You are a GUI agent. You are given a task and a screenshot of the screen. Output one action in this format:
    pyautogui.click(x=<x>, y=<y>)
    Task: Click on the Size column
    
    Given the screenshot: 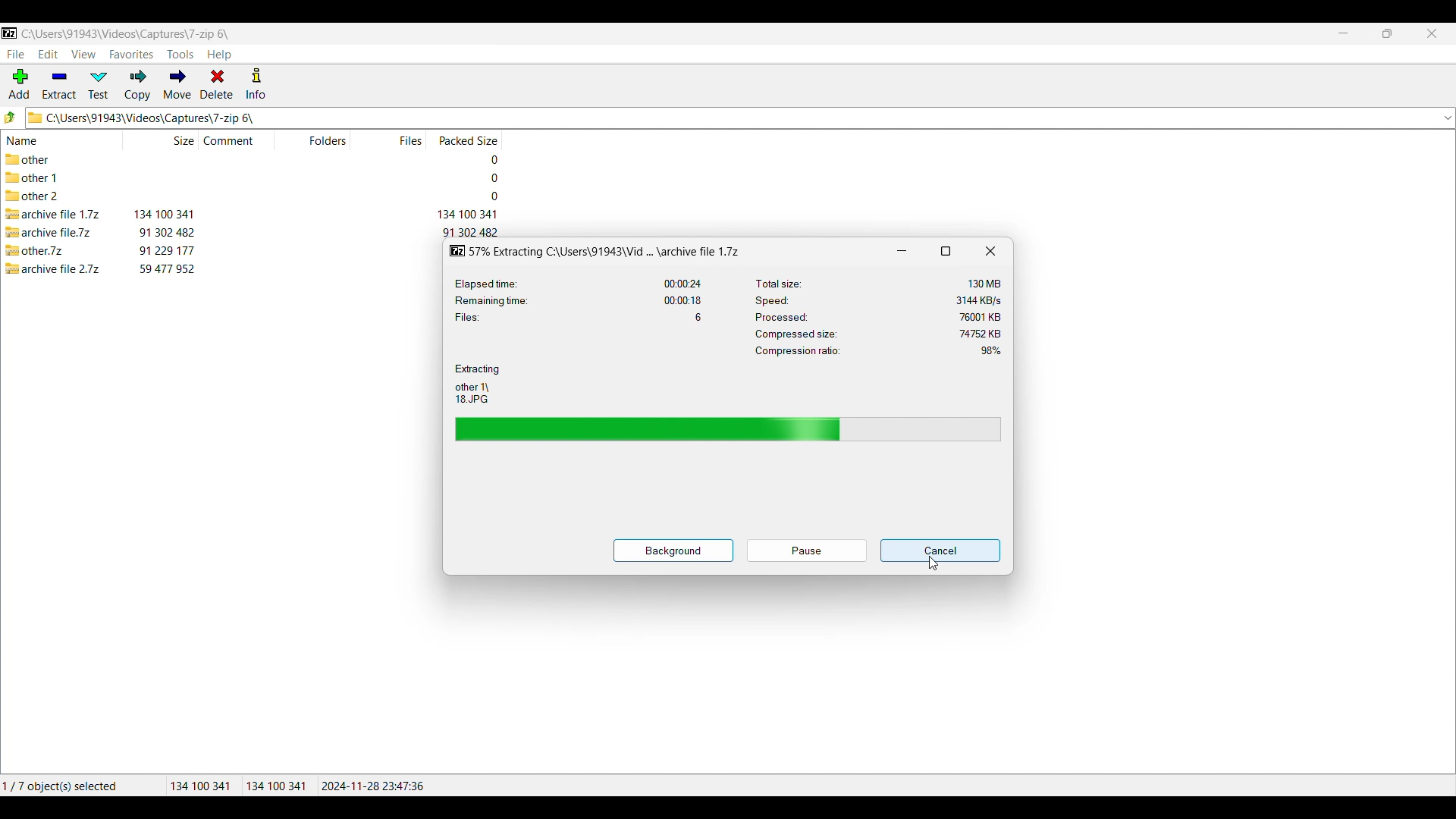 What is the action you would take?
    pyautogui.click(x=159, y=140)
    